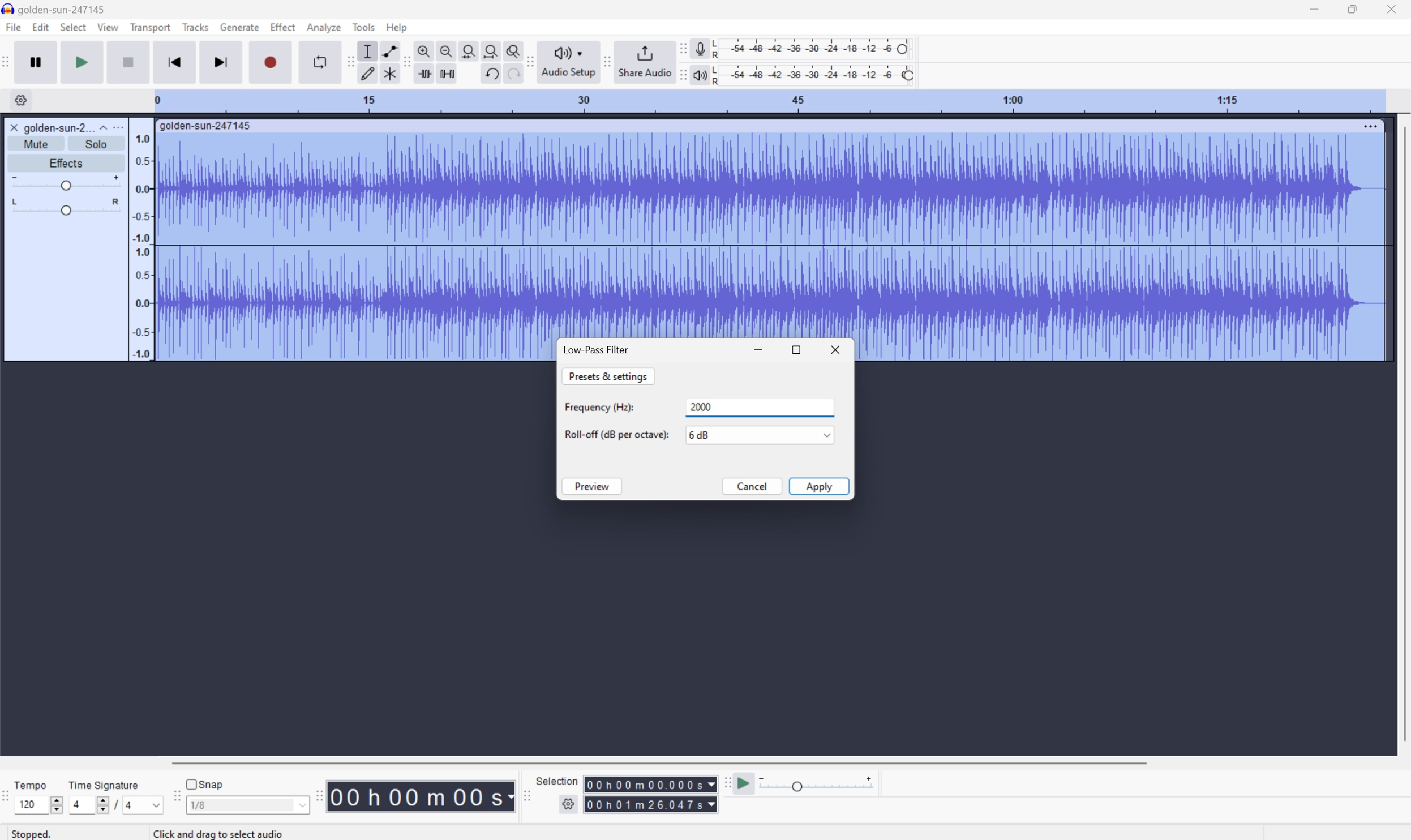 The height and width of the screenshot is (840, 1411). What do you see at coordinates (1370, 126) in the screenshot?
I see `More` at bounding box center [1370, 126].